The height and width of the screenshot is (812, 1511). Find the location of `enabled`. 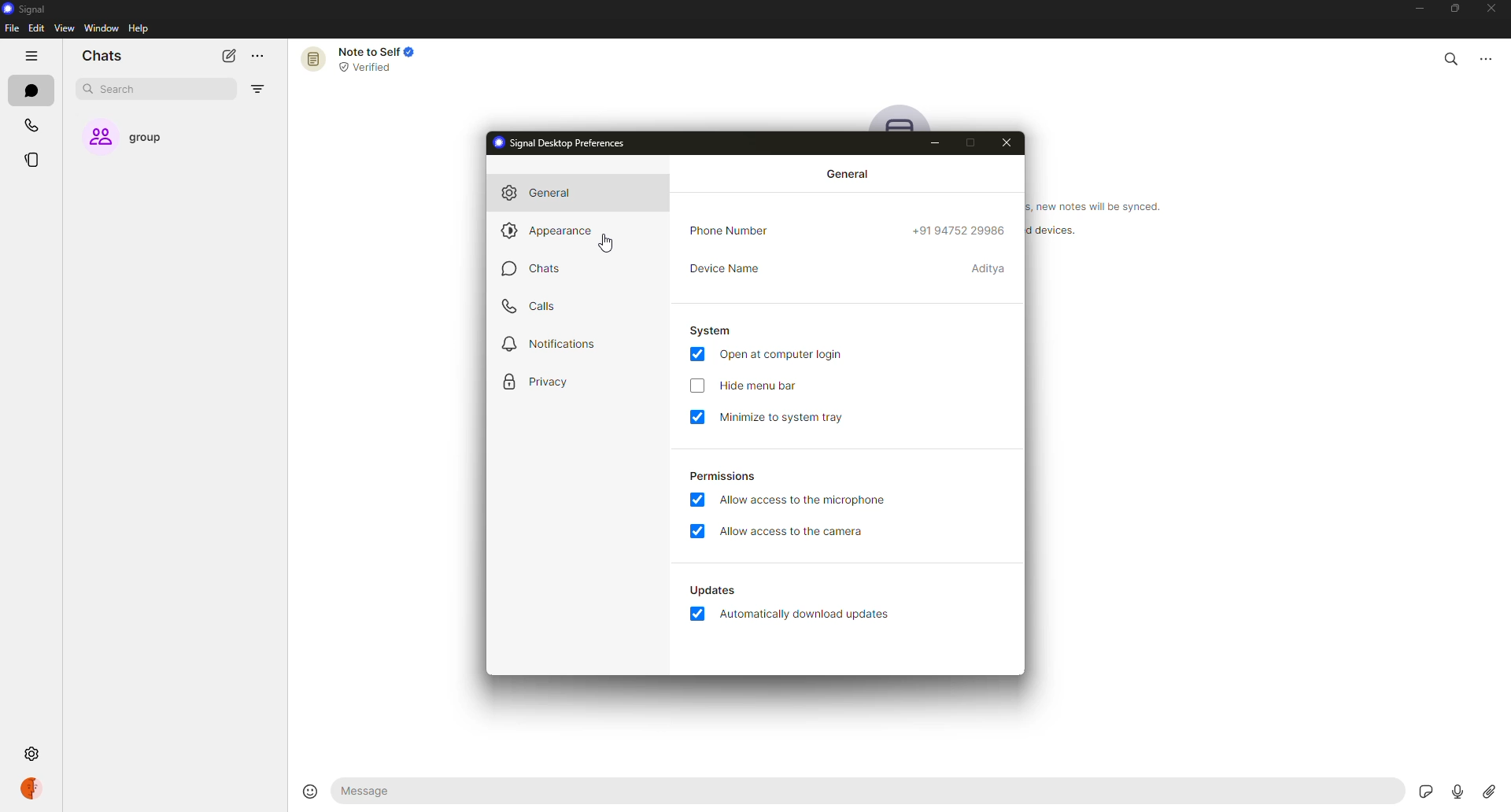

enabled is located at coordinates (697, 354).